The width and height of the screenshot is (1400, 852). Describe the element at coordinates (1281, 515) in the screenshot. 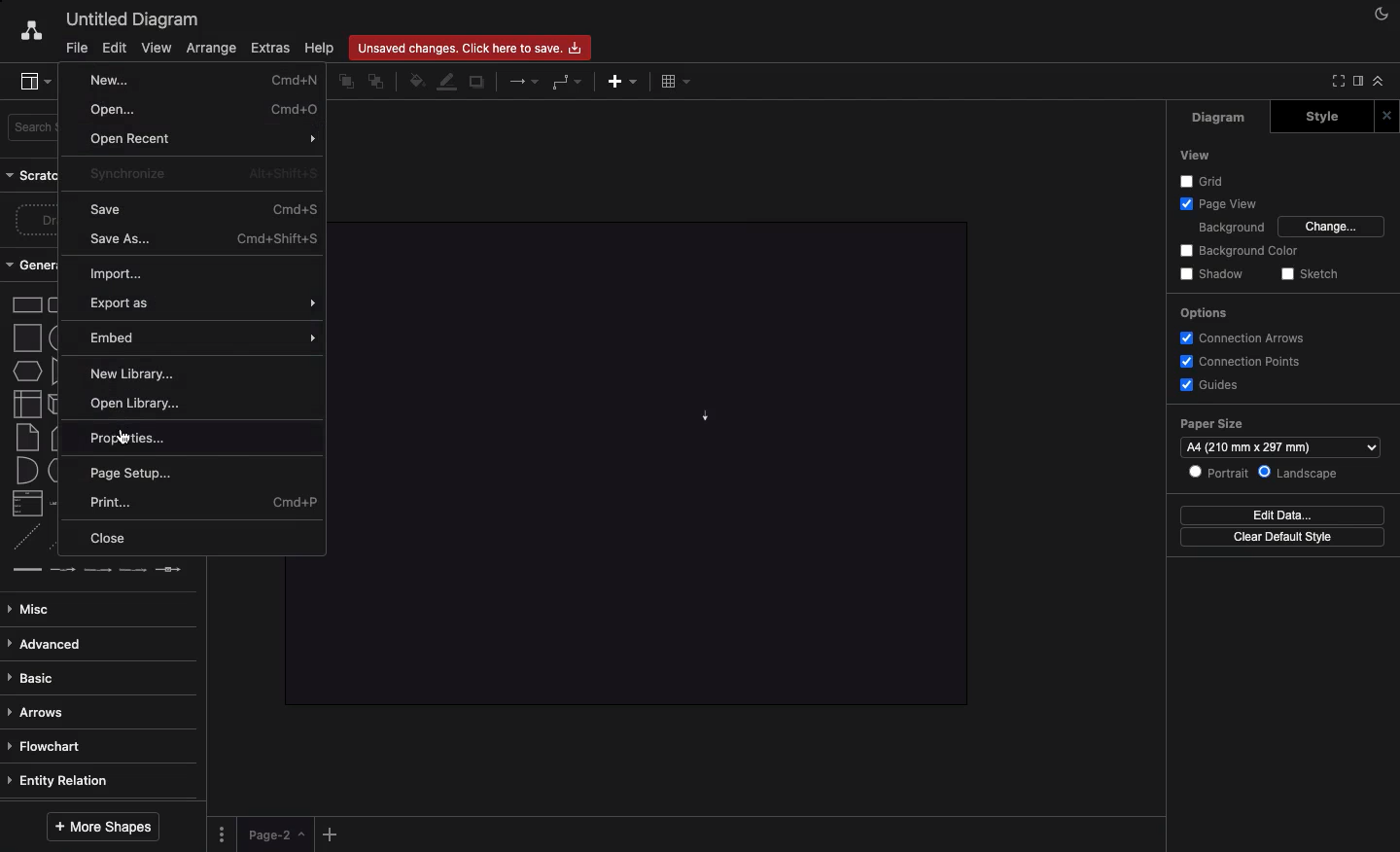

I see `Edit data` at that location.